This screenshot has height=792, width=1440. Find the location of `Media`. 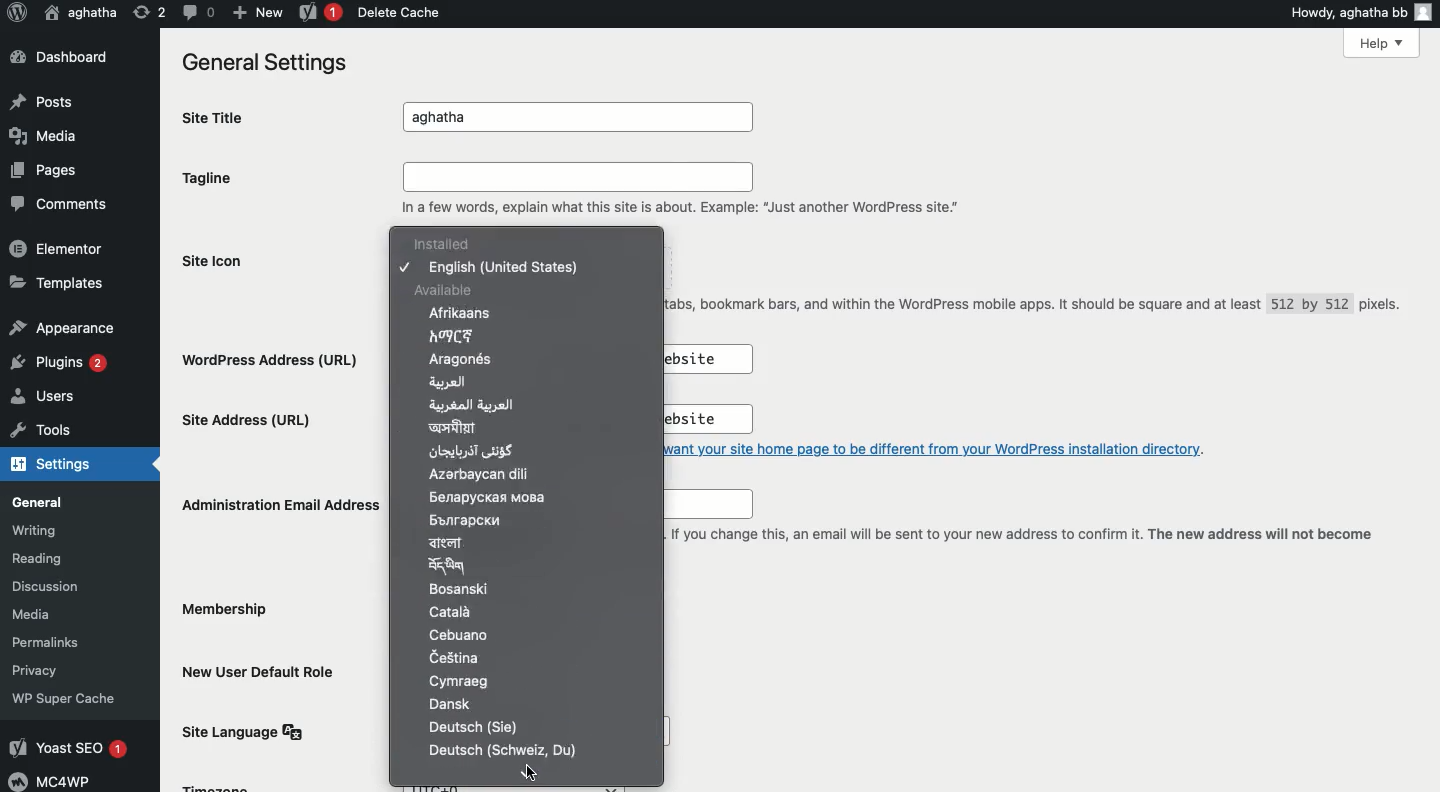

Media is located at coordinates (49, 614).